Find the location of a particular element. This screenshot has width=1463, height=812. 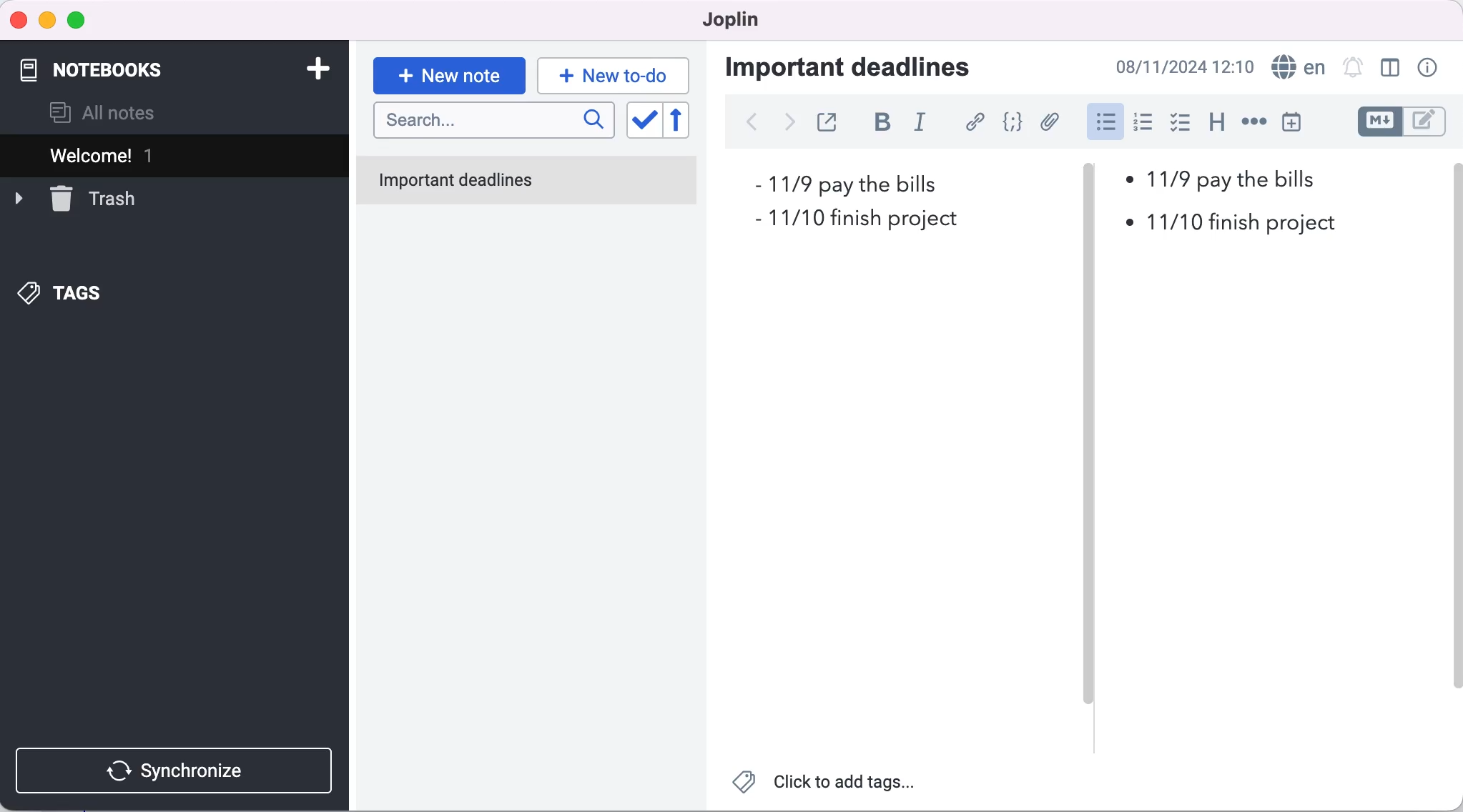

Scrollbar is located at coordinates (1459, 424).